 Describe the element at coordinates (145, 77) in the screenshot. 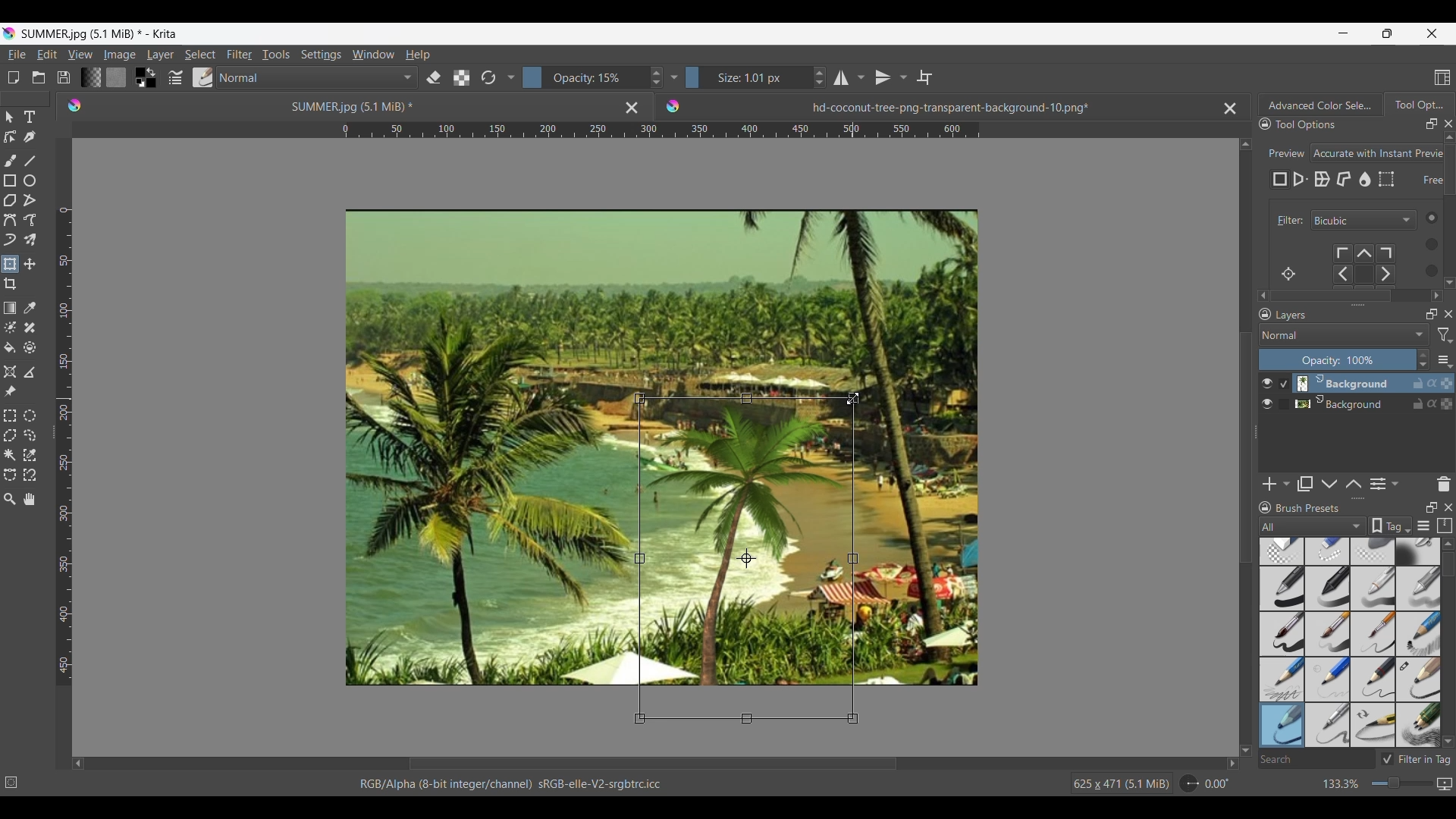

I see `Background/Foreground color selector` at that location.